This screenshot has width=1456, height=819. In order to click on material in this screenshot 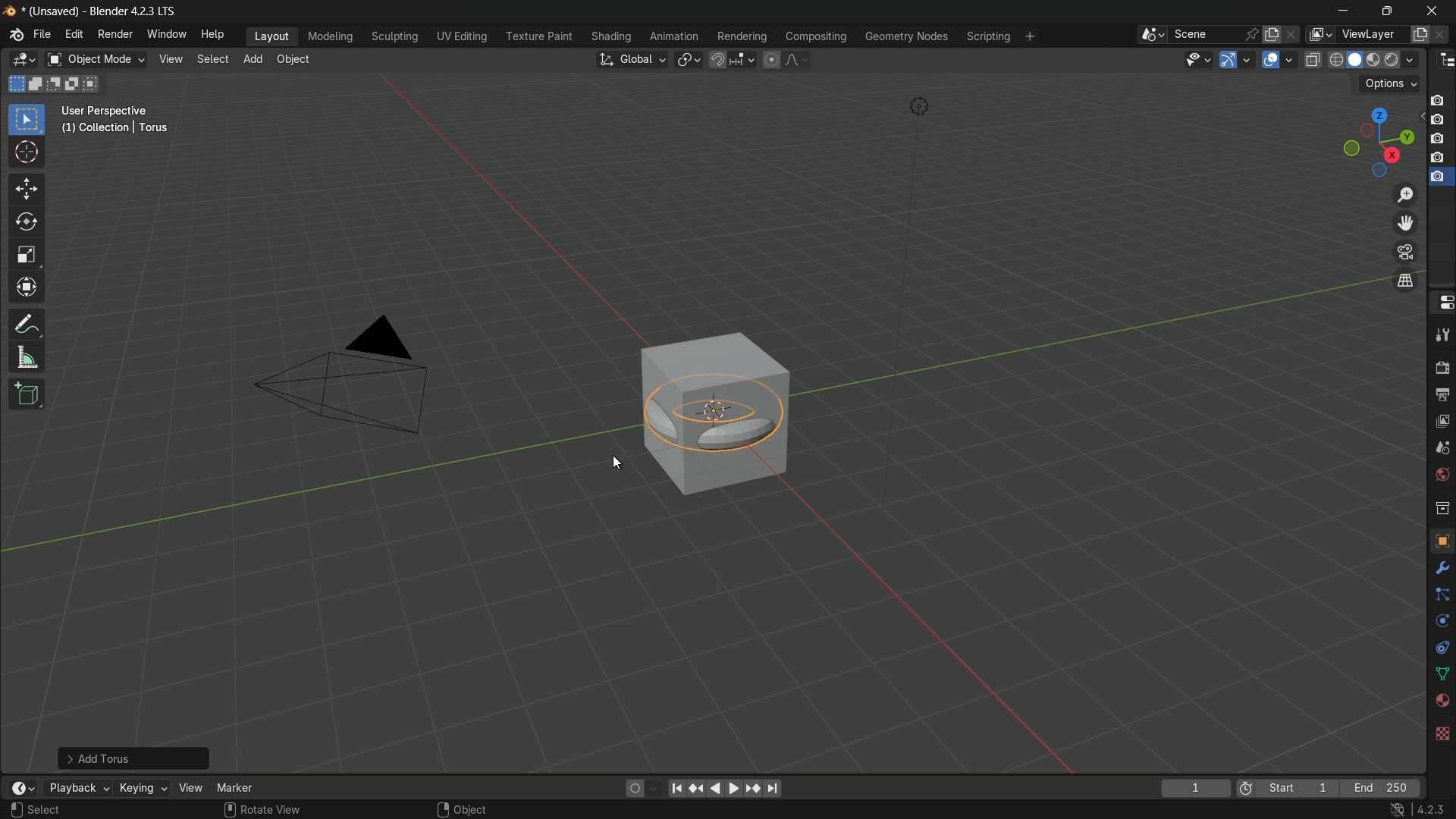, I will do `click(1442, 699)`.